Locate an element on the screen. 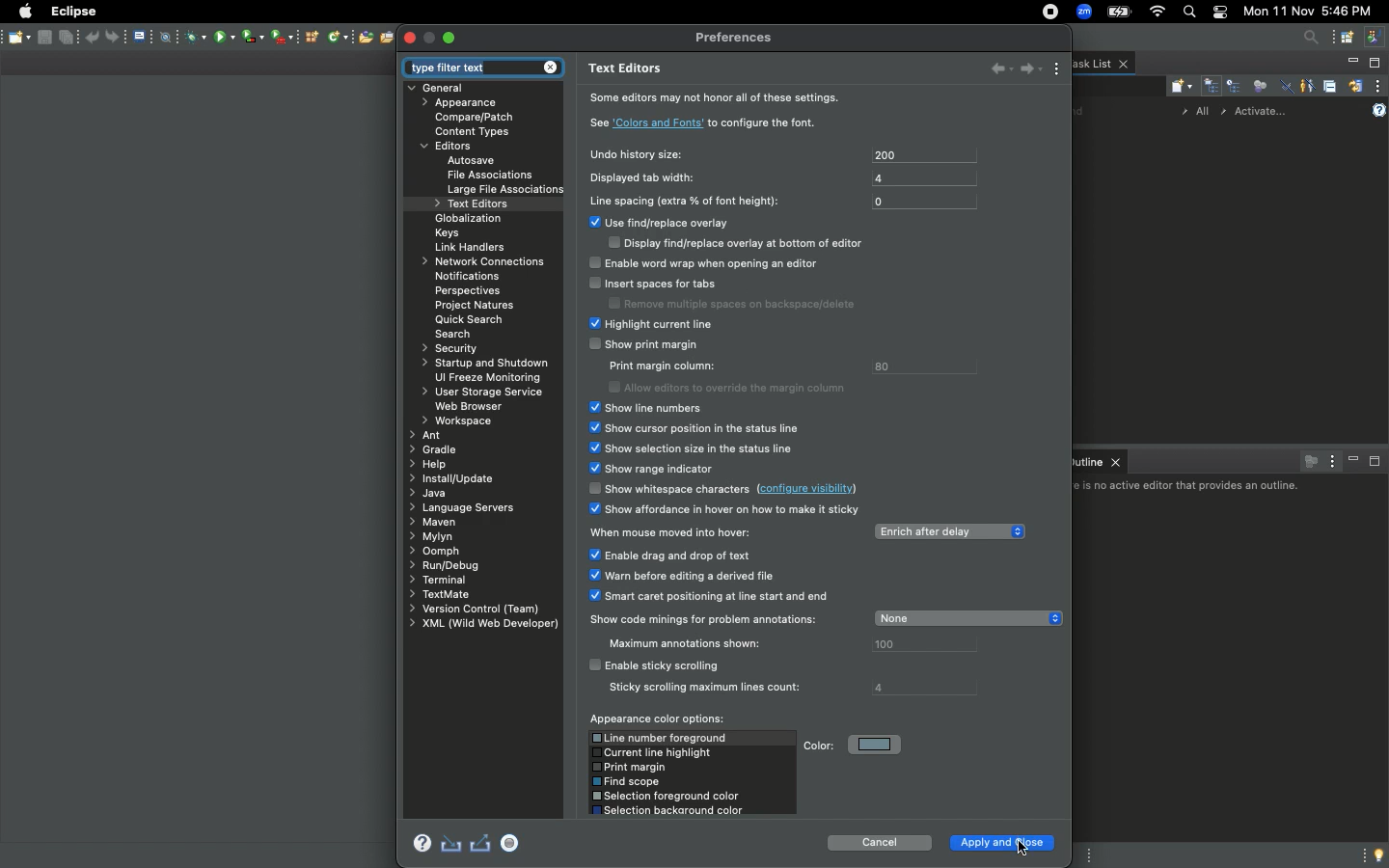 This screenshot has height=868, width=1389. Some editors may not honor all of these settings is located at coordinates (723, 100).